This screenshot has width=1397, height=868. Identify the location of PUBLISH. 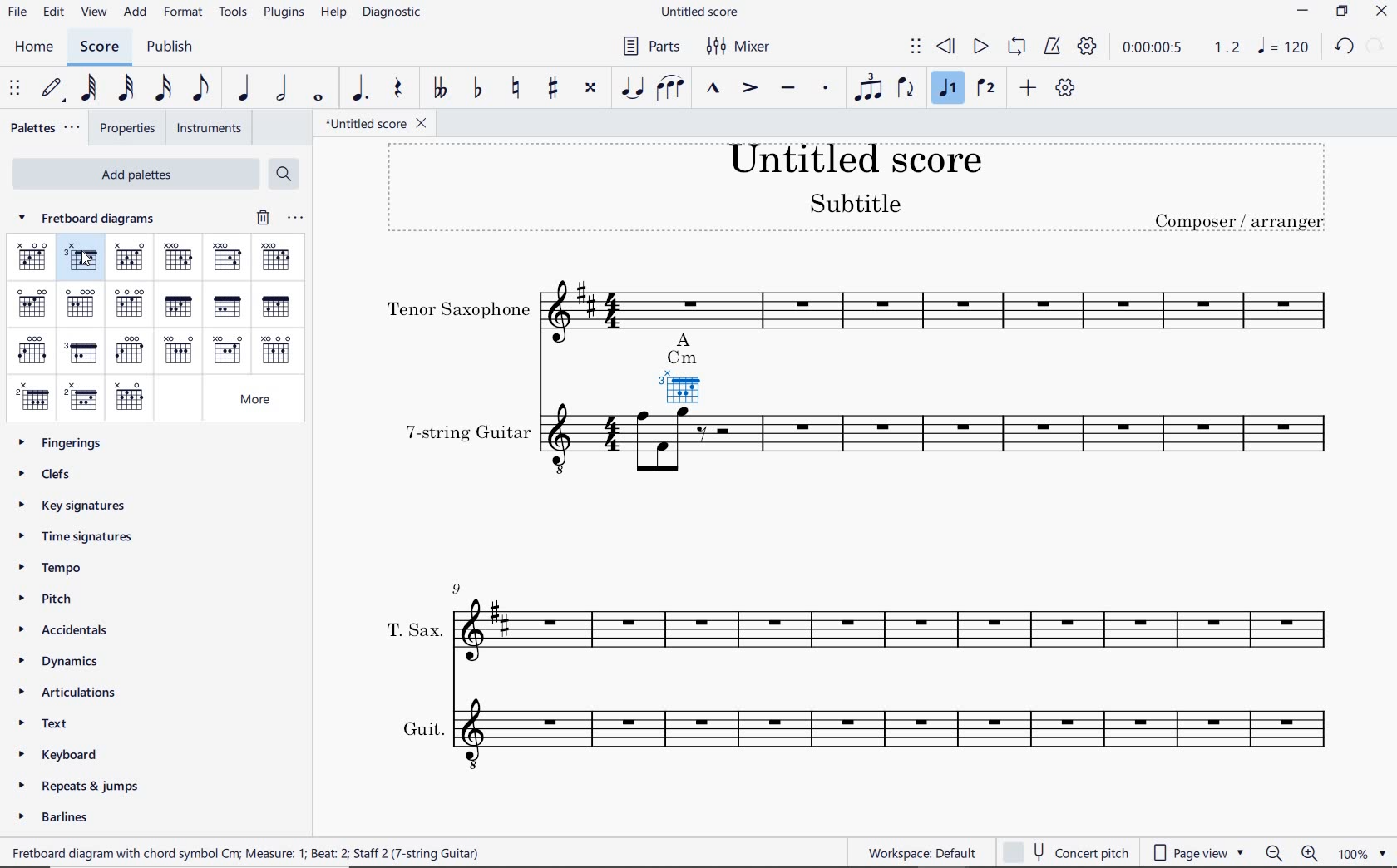
(173, 45).